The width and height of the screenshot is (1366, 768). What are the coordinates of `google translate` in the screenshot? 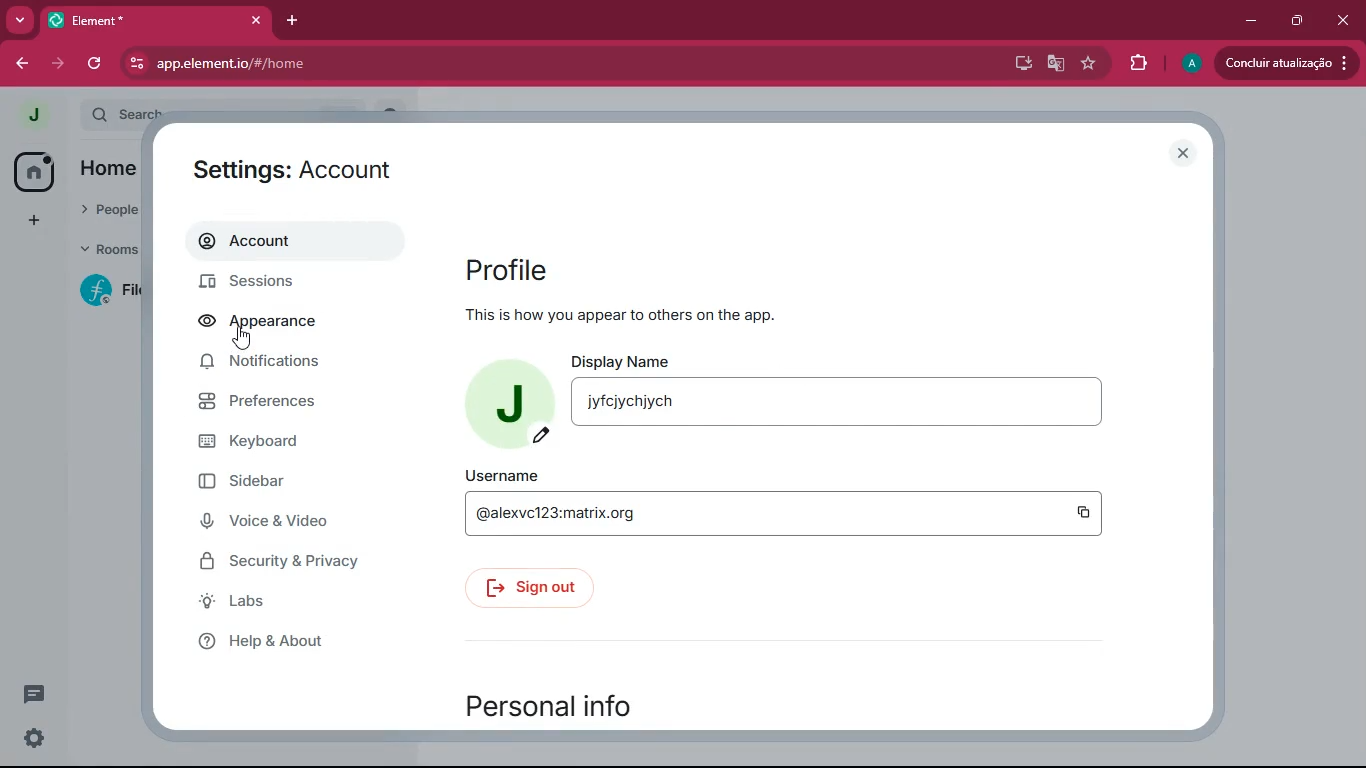 It's located at (1057, 65).